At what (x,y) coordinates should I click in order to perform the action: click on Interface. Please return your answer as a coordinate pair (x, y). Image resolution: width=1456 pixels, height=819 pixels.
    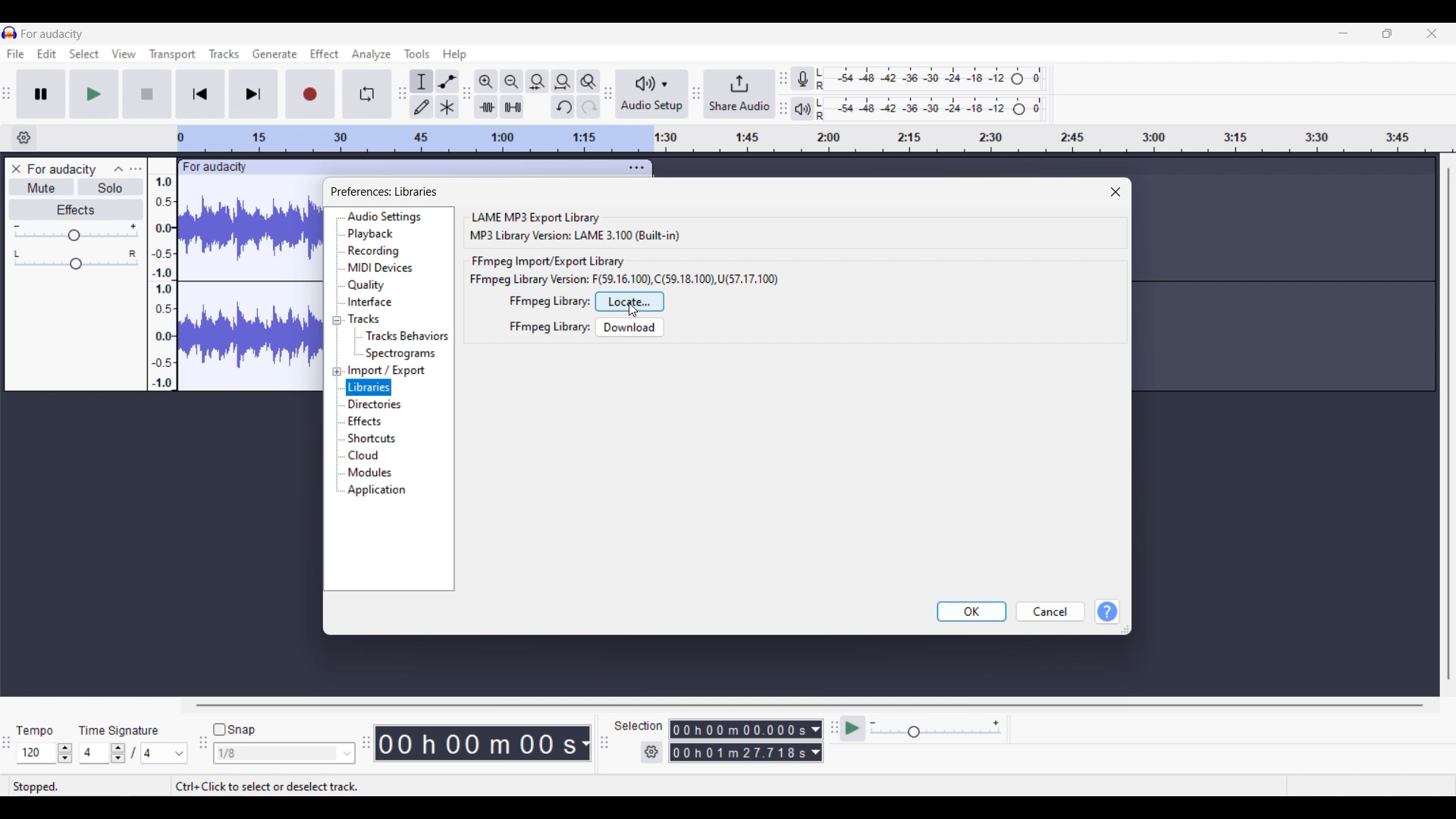
    Looking at the image, I should click on (370, 302).